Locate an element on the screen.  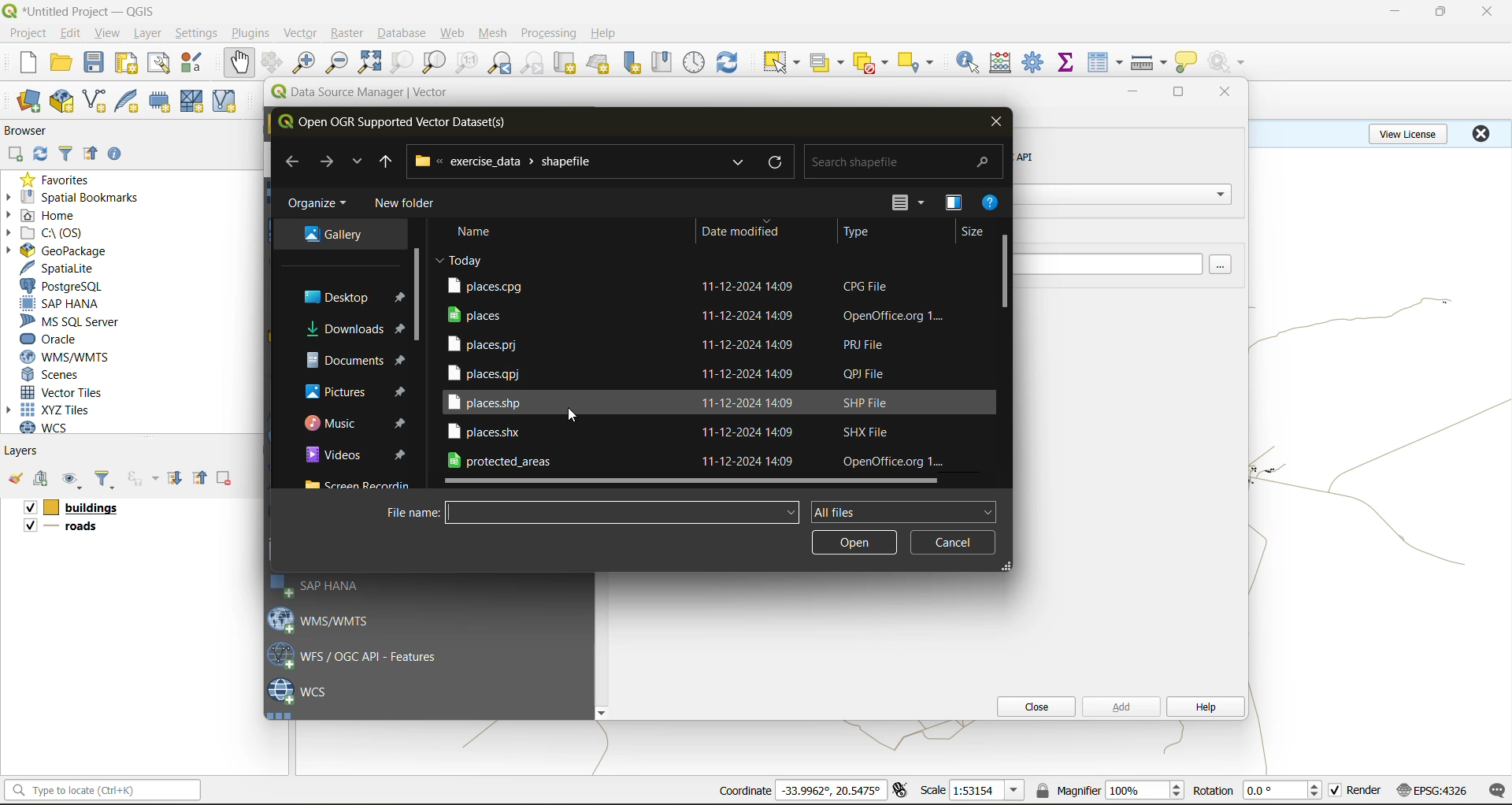
zoom layer is located at coordinates (435, 65).